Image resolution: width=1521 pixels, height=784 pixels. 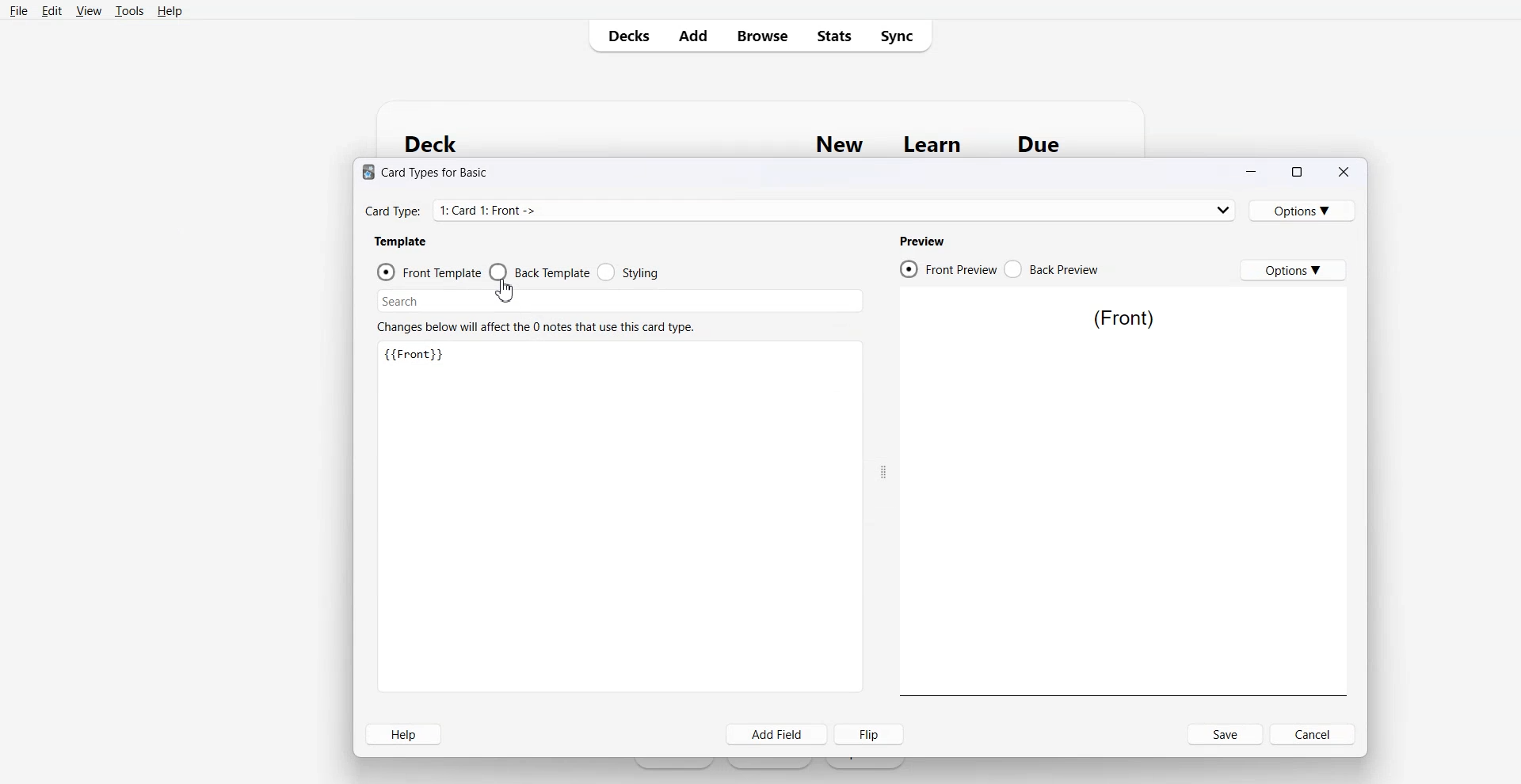 I want to click on Help, so click(x=404, y=734).